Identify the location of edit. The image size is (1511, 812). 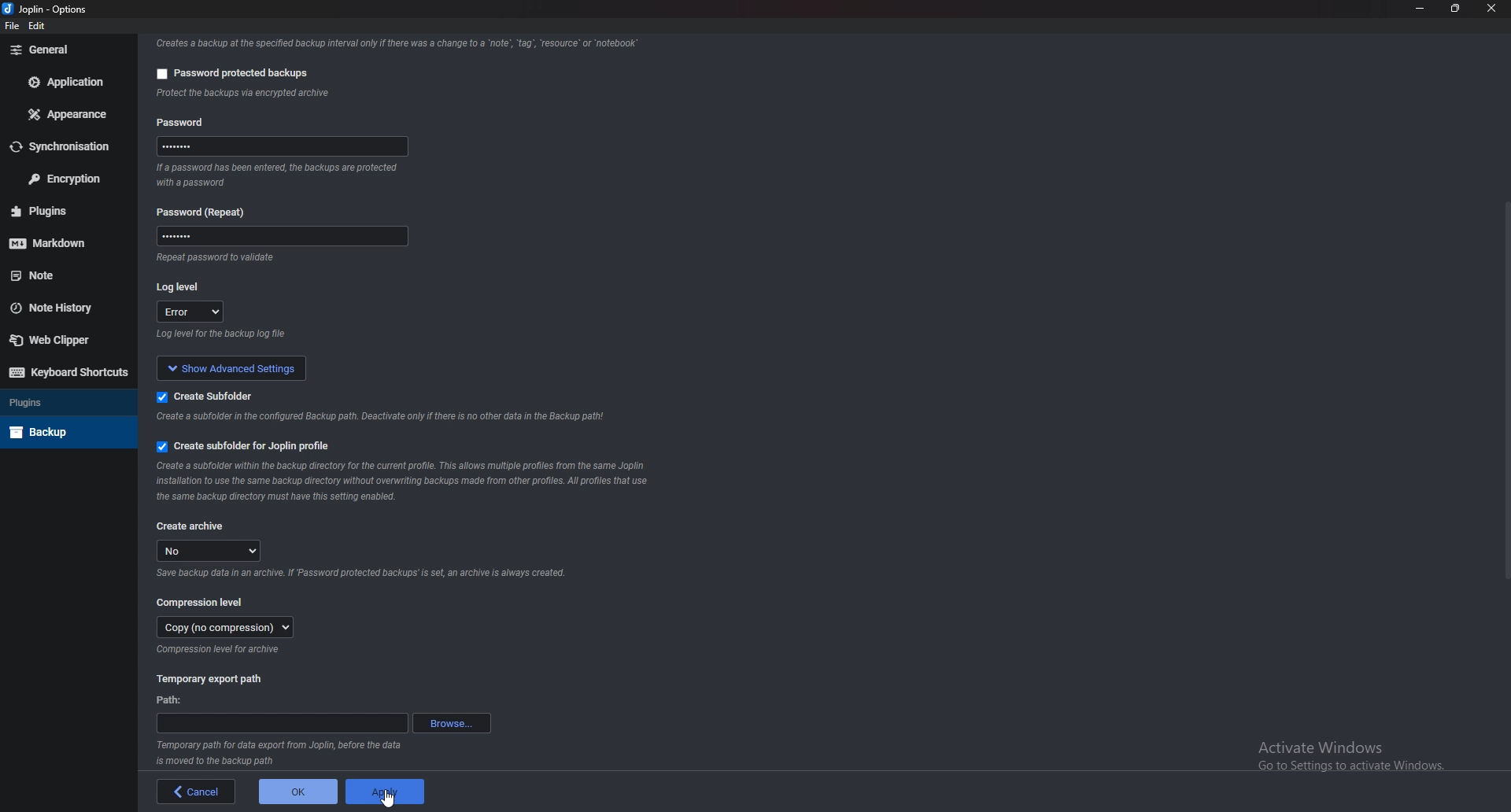
(38, 27).